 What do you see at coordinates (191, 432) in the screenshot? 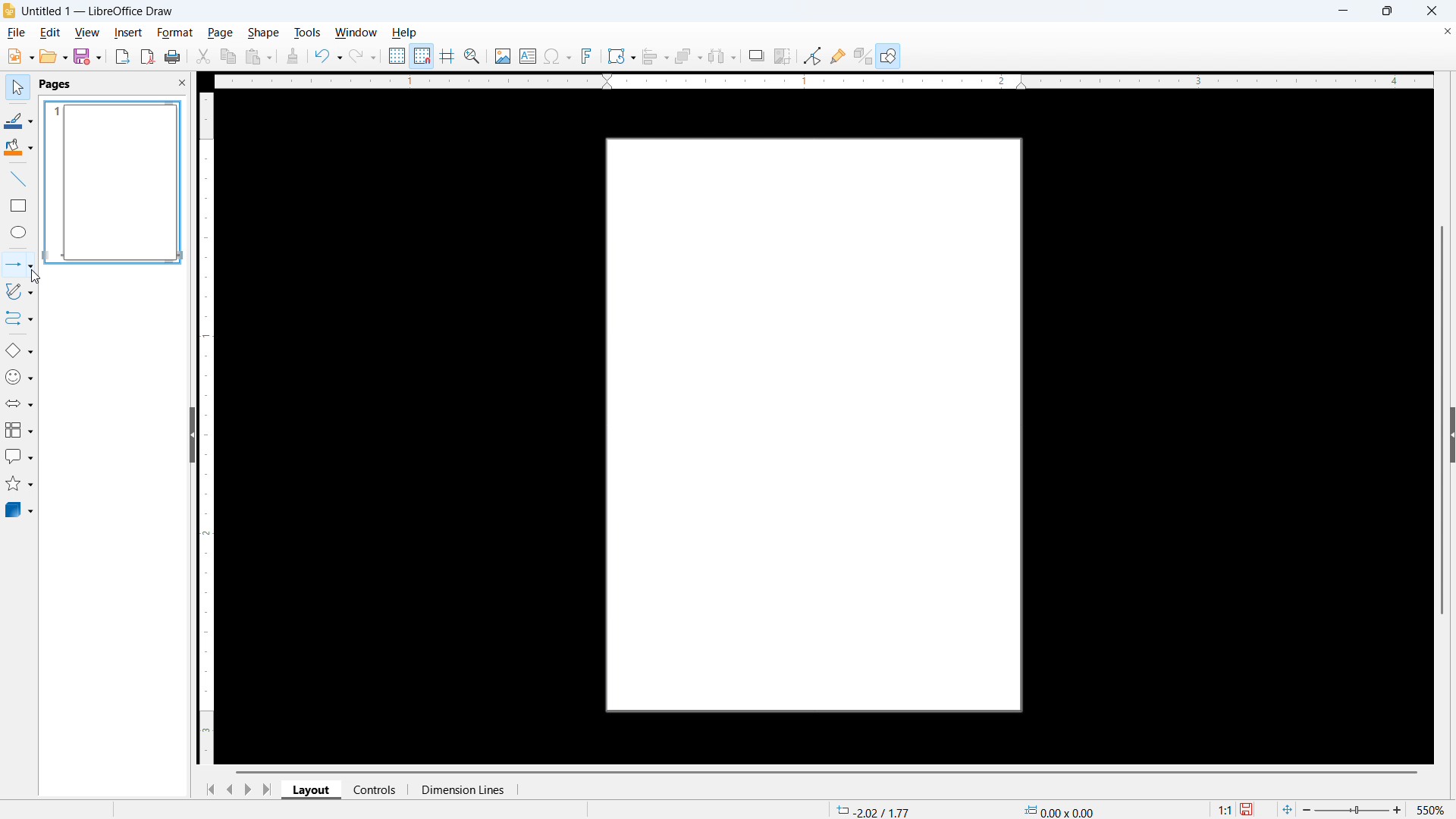
I see `Hide panel ` at bounding box center [191, 432].